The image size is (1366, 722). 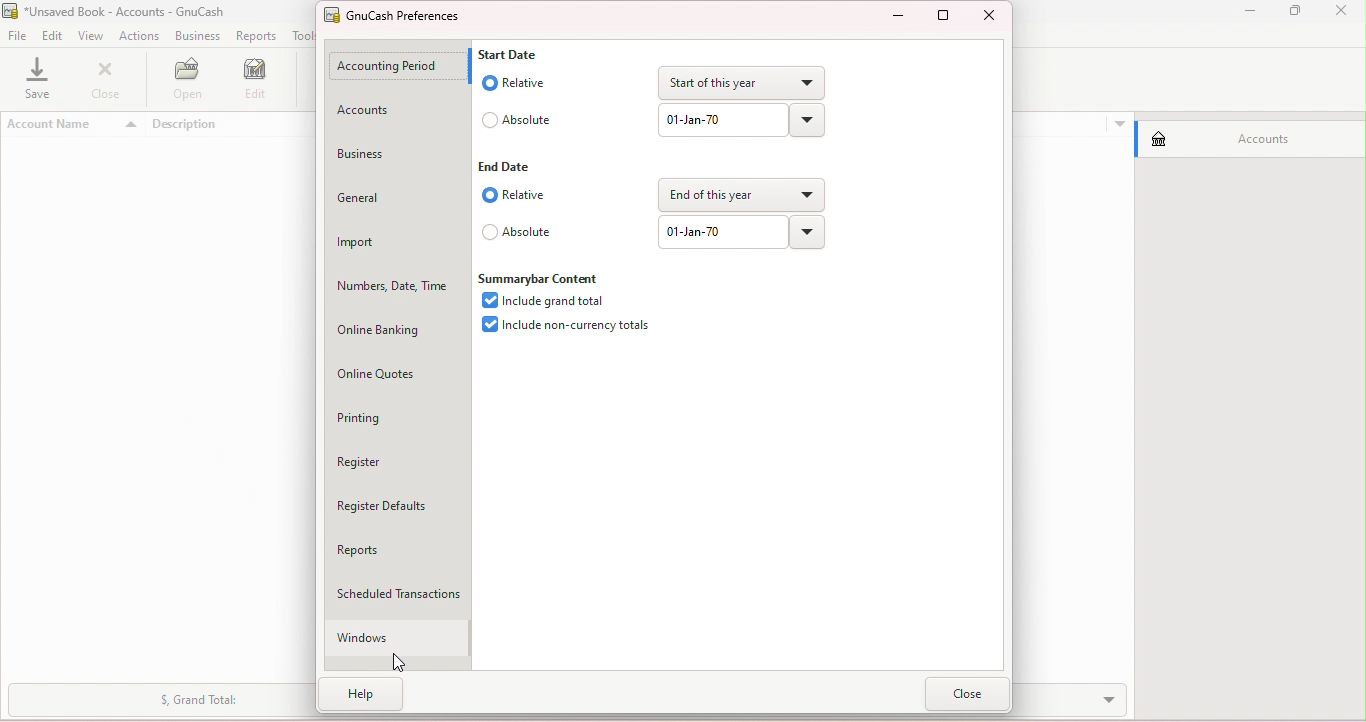 I want to click on Numbers, Date, Time, so click(x=392, y=279).